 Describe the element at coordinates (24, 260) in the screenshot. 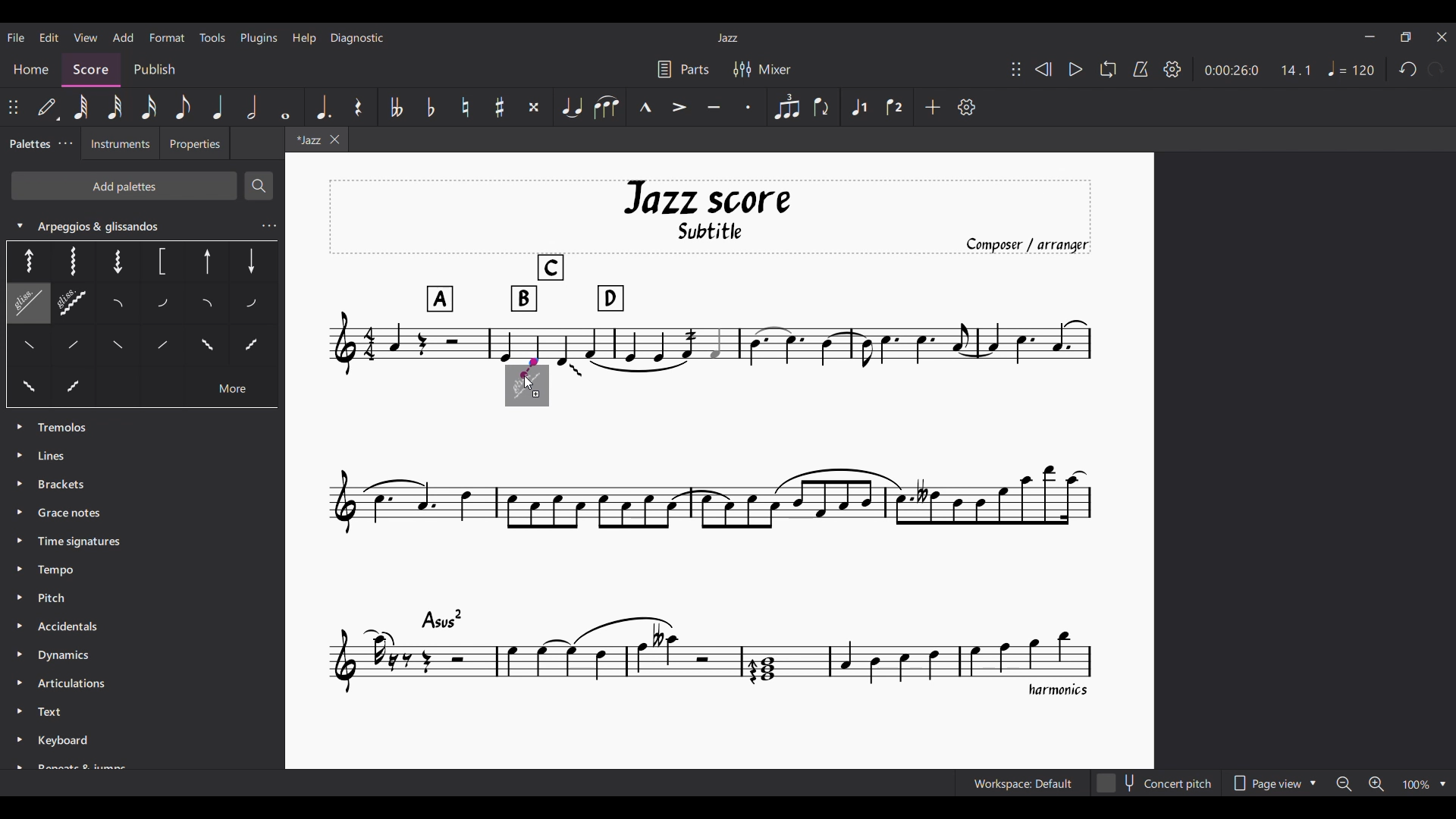

I see `Options under current selected palette` at that location.